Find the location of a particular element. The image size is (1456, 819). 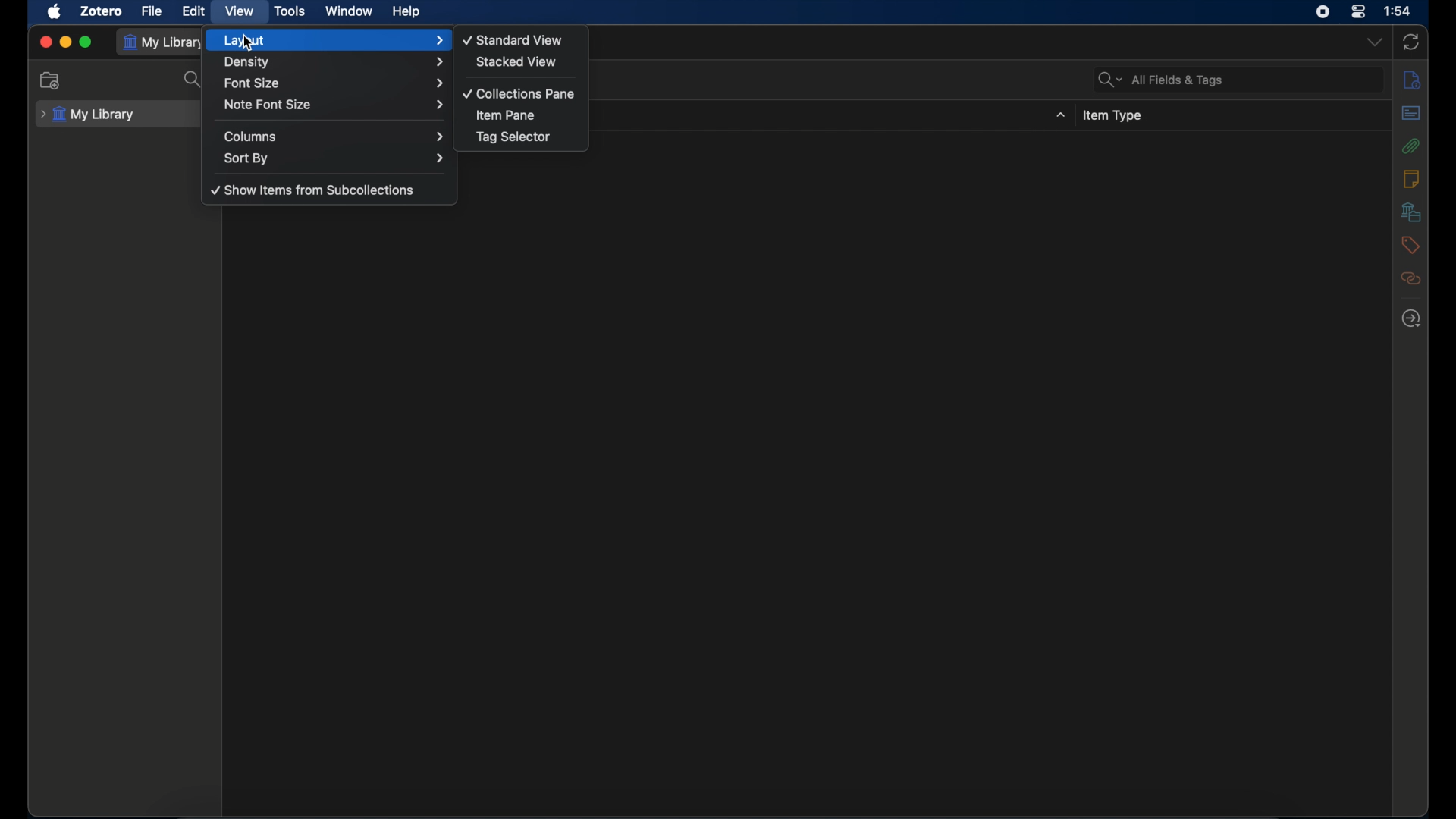

dropdown is located at coordinates (1061, 115).